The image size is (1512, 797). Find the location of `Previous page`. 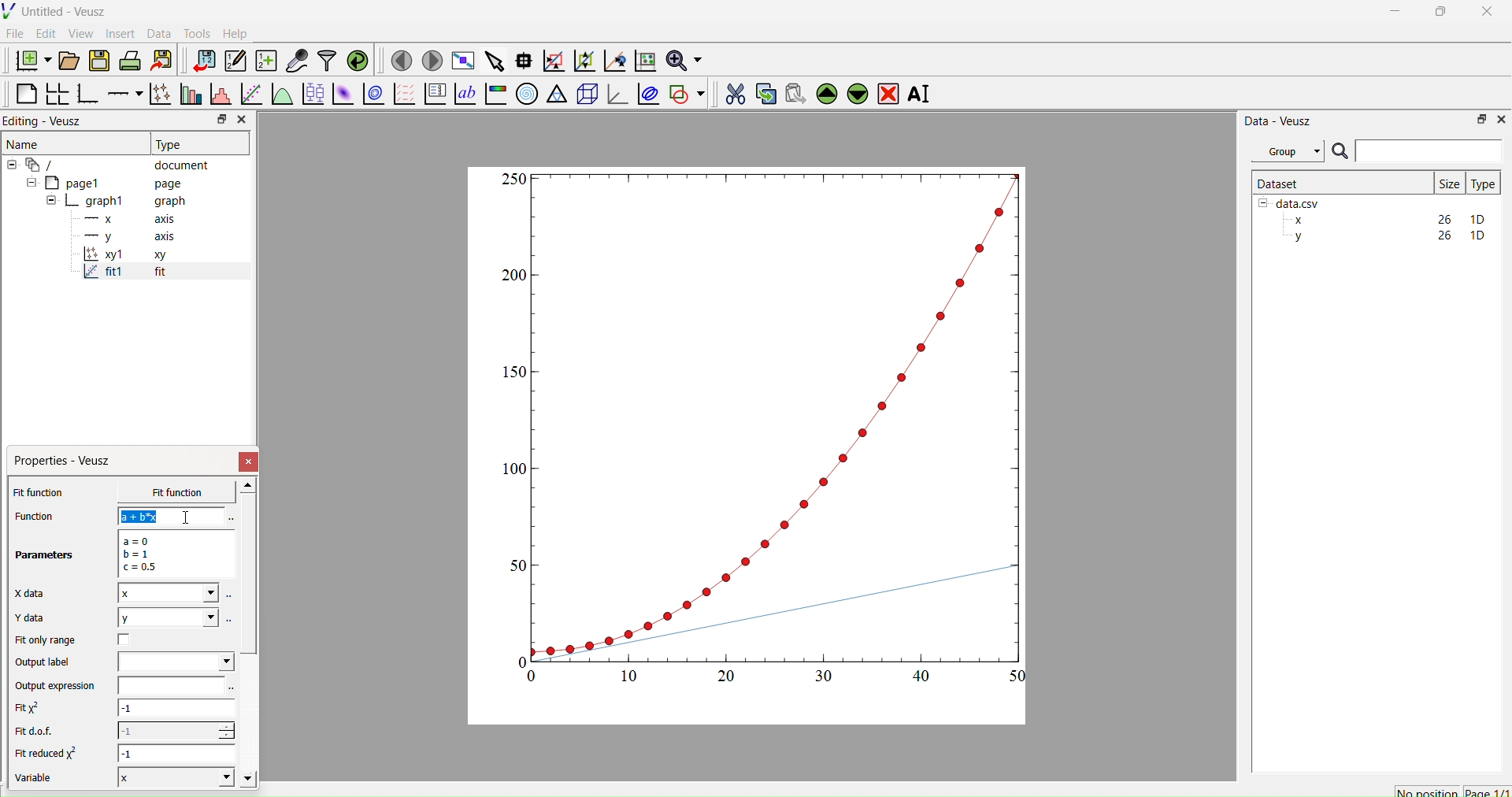

Previous page is located at coordinates (402, 61).